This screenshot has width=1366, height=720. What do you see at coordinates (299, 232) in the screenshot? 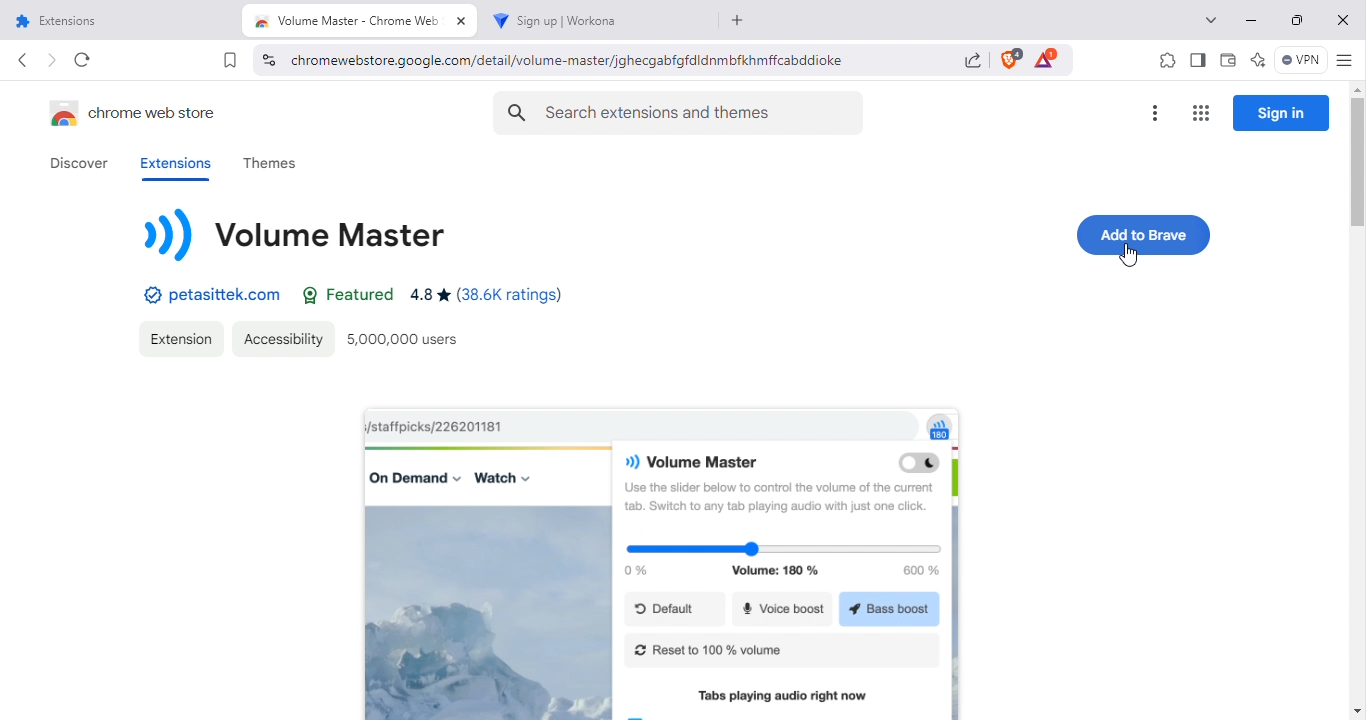
I see `Logo` at bounding box center [299, 232].